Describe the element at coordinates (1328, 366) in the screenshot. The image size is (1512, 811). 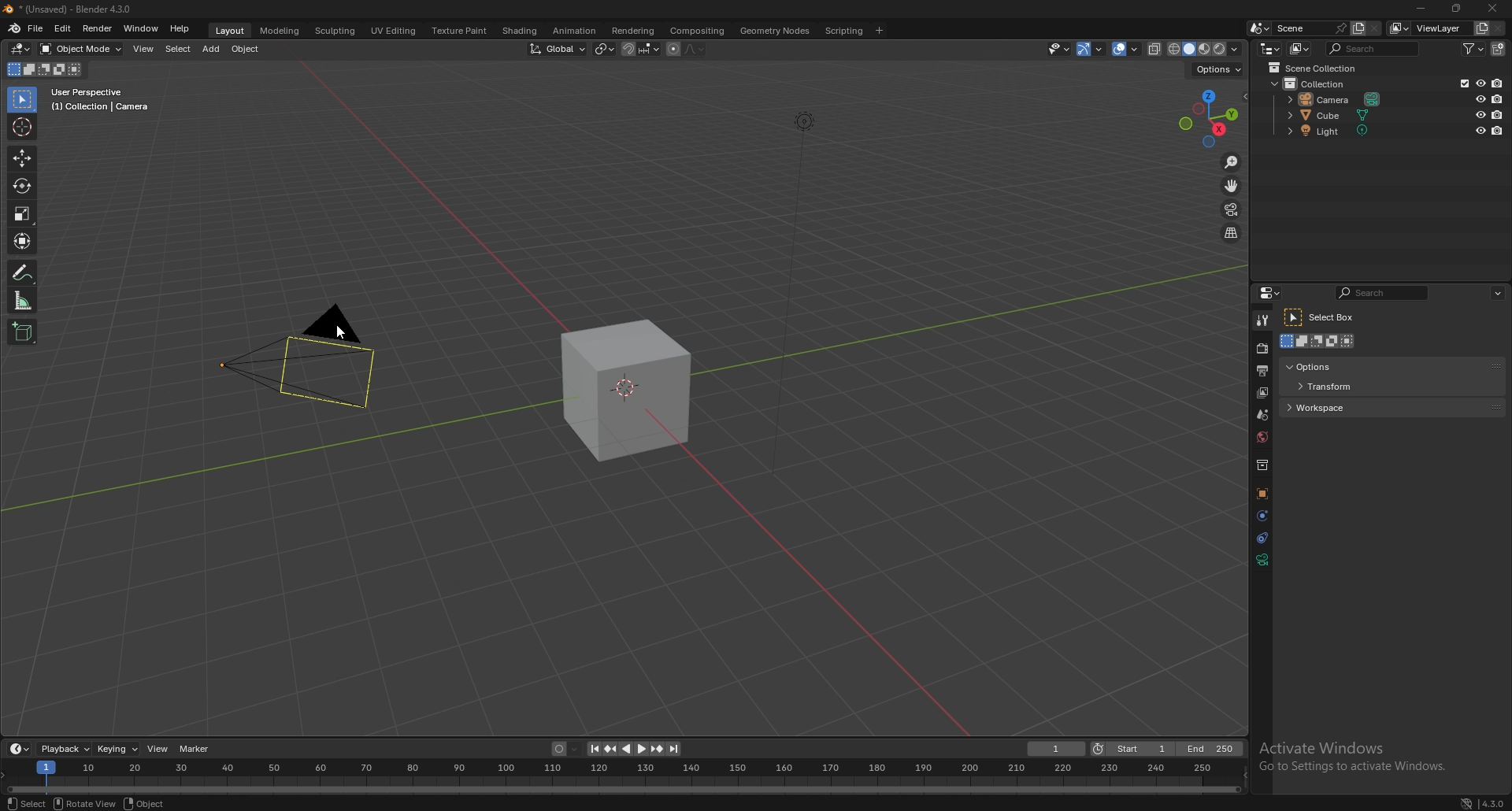
I see `options` at that location.